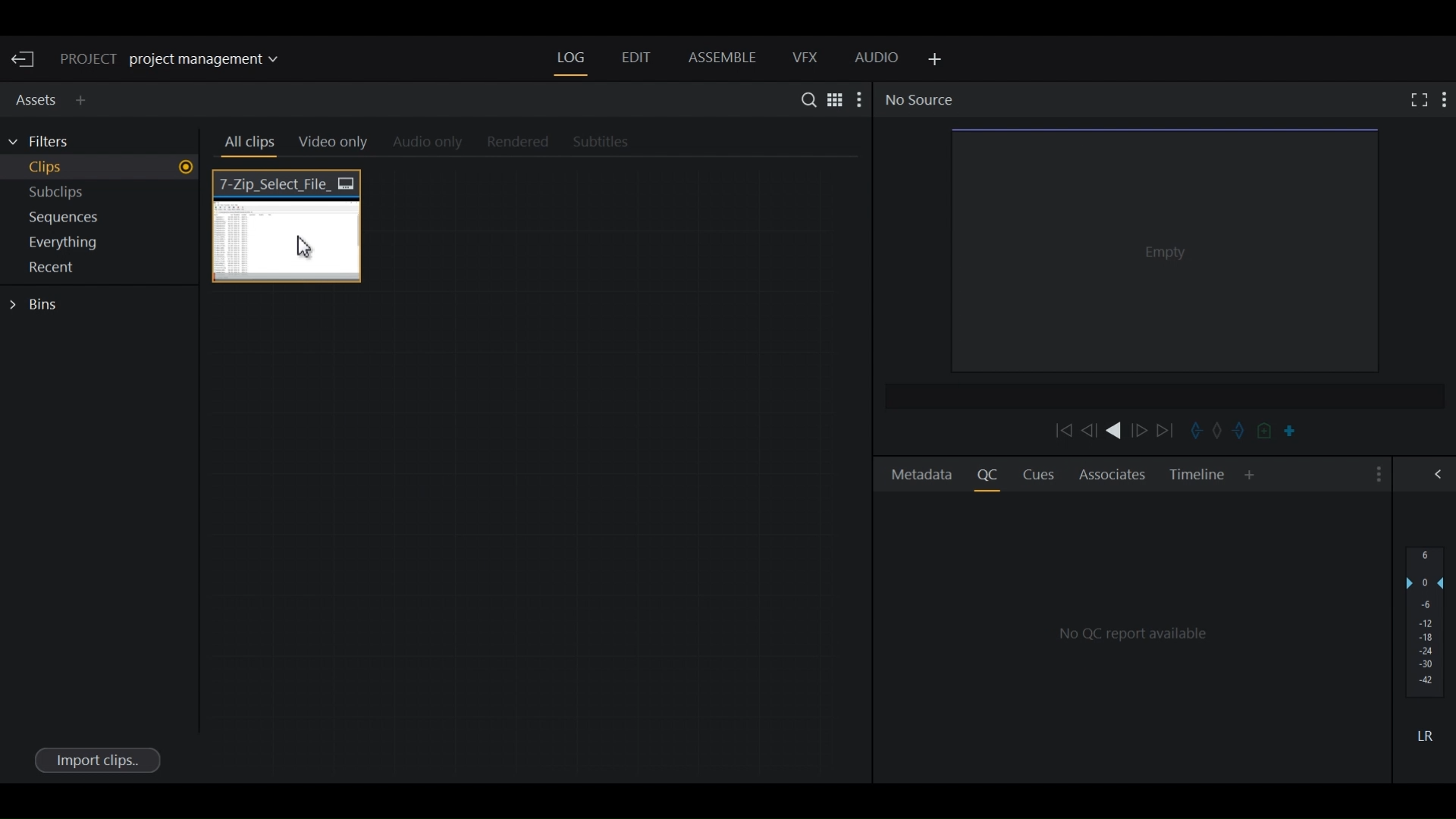 Image resolution: width=1456 pixels, height=819 pixels. Describe the element at coordinates (1164, 249) in the screenshot. I see `Media Viewer` at that location.